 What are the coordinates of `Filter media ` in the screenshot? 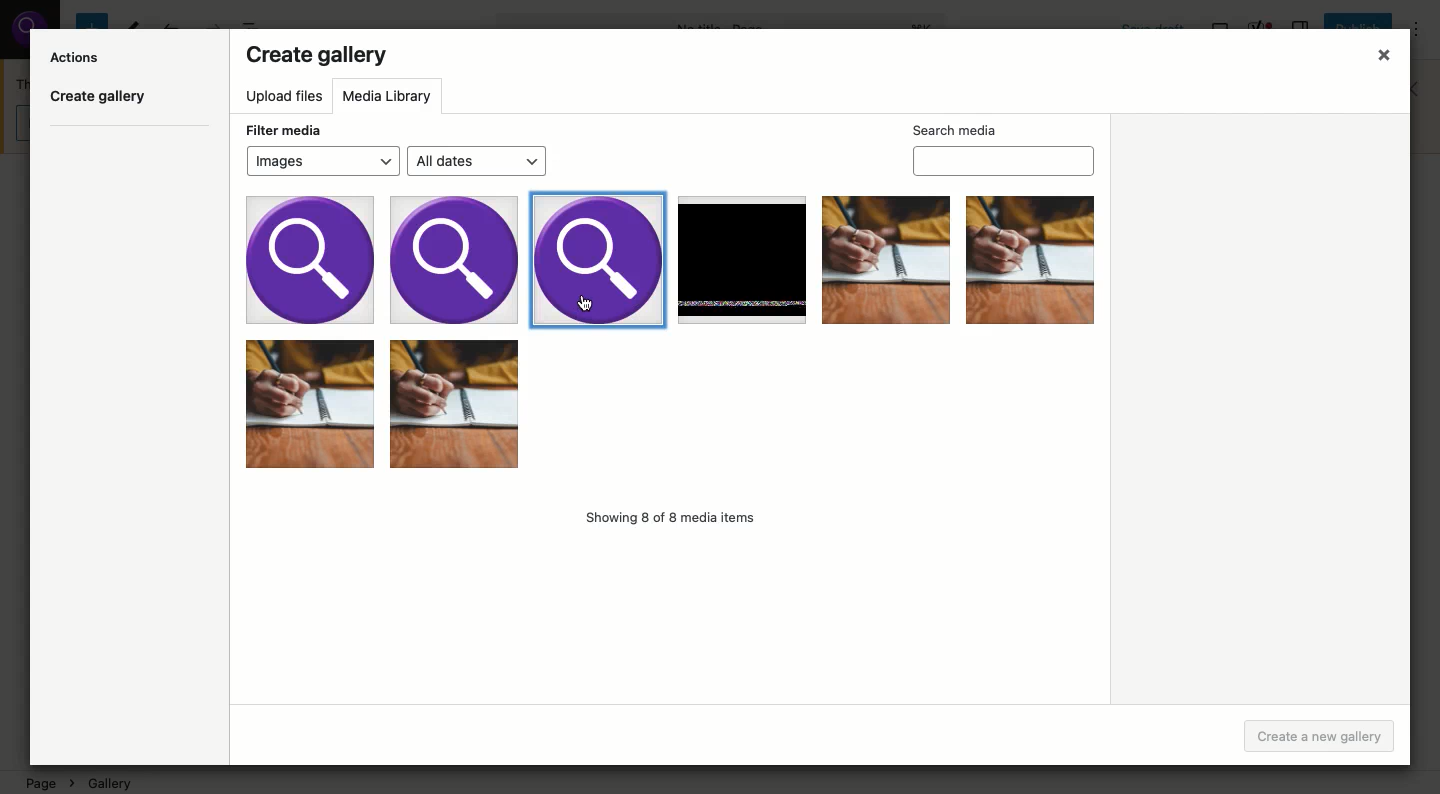 It's located at (282, 128).